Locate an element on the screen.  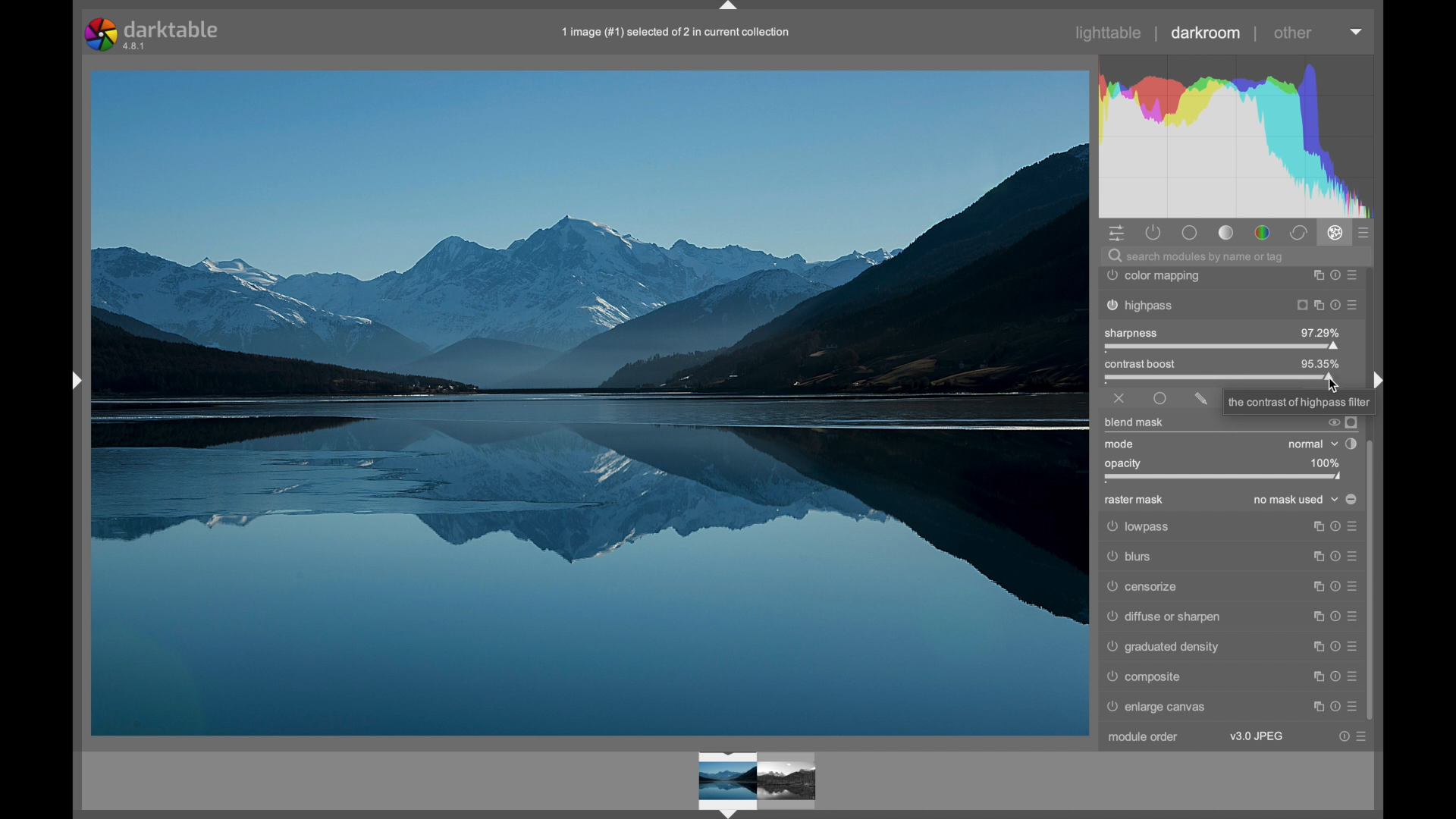
 is located at coordinates (1300, 402).